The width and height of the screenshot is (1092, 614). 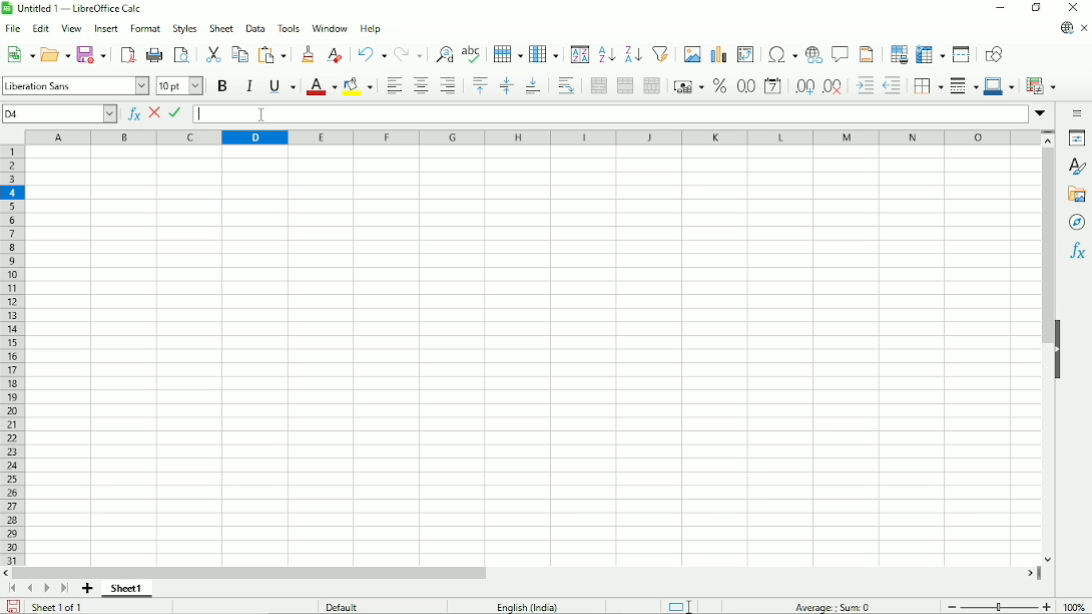 What do you see at coordinates (719, 54) in the screenshot?
I see `Insert chart` at bounding box center [719, 54].